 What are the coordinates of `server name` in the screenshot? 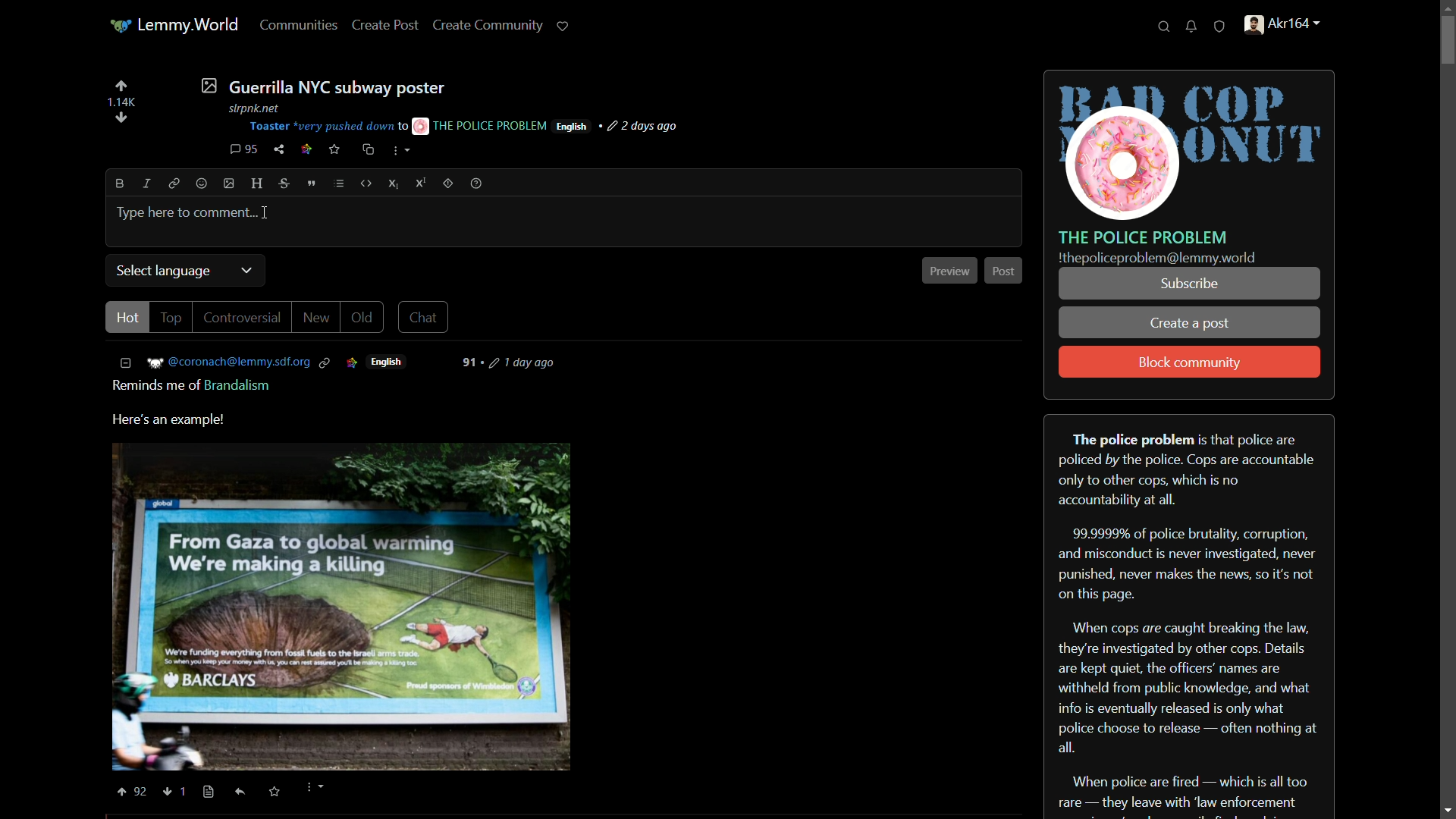 It's located at (1144, 237).